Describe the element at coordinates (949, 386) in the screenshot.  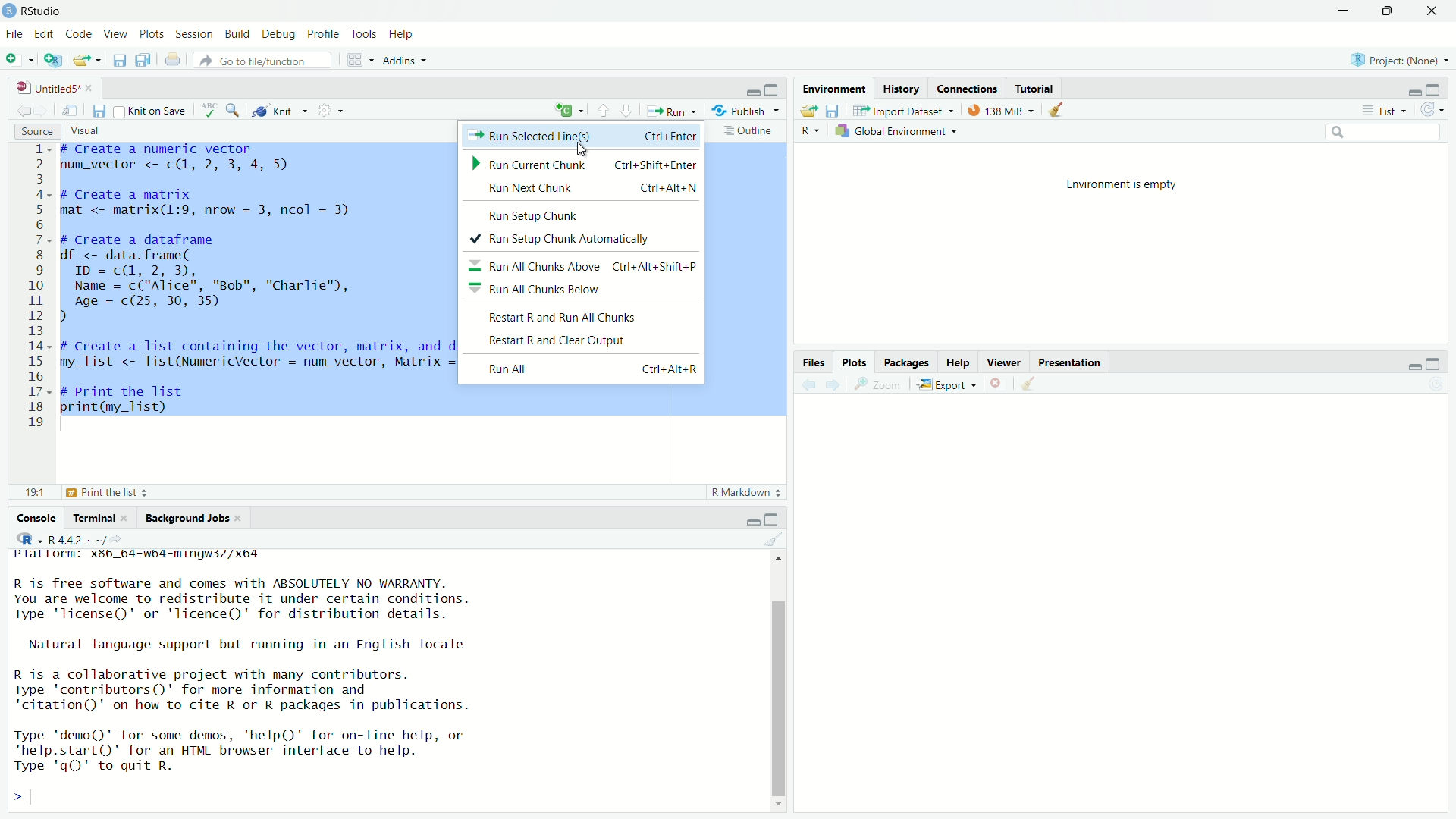
I see `Export +` at that location.